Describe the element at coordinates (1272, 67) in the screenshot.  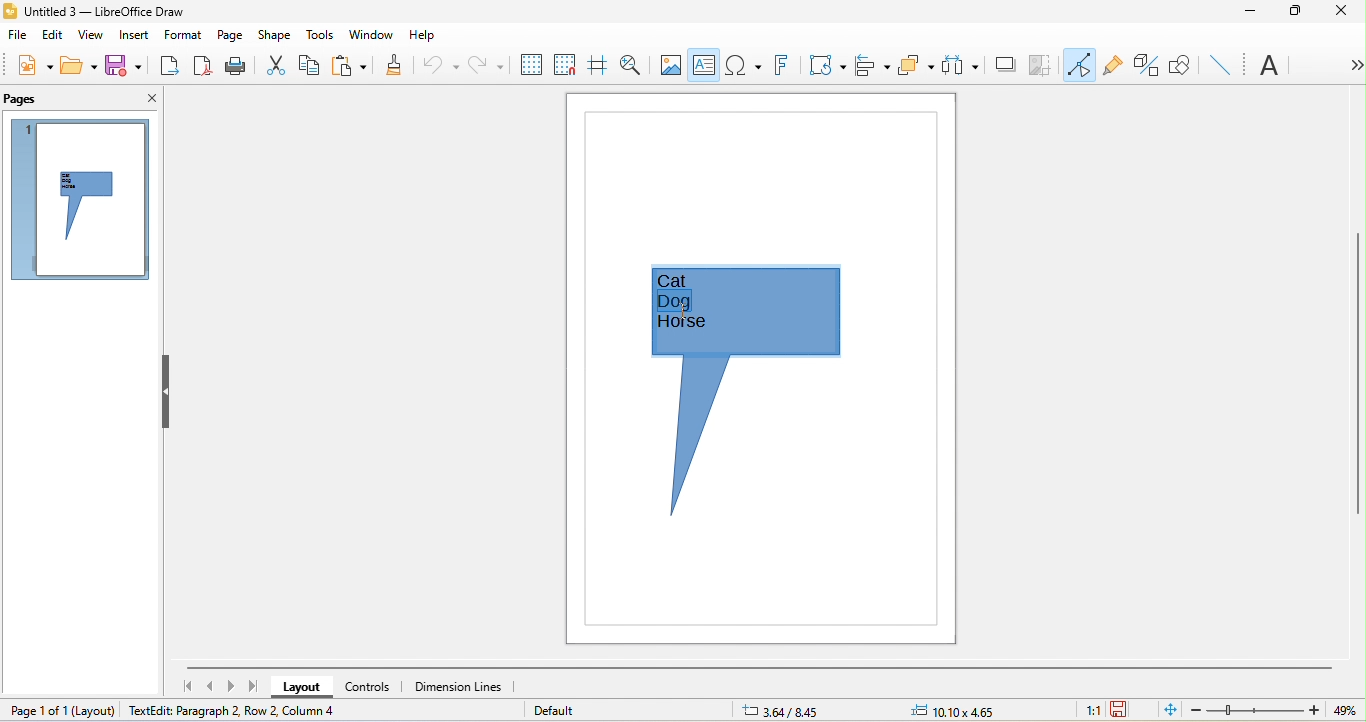
I see `text` at that location.